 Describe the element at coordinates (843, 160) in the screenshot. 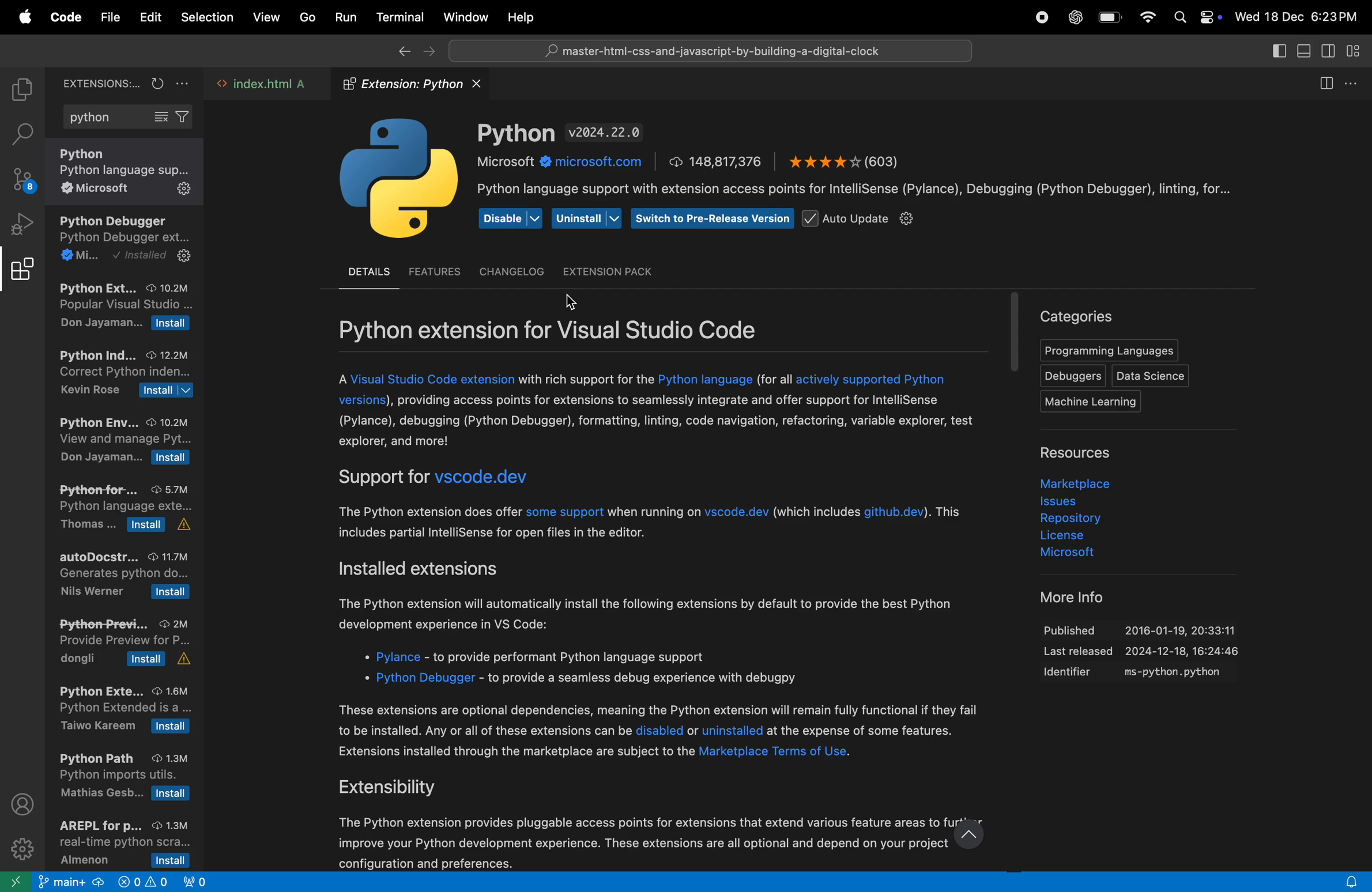

I see `starts` at that location.